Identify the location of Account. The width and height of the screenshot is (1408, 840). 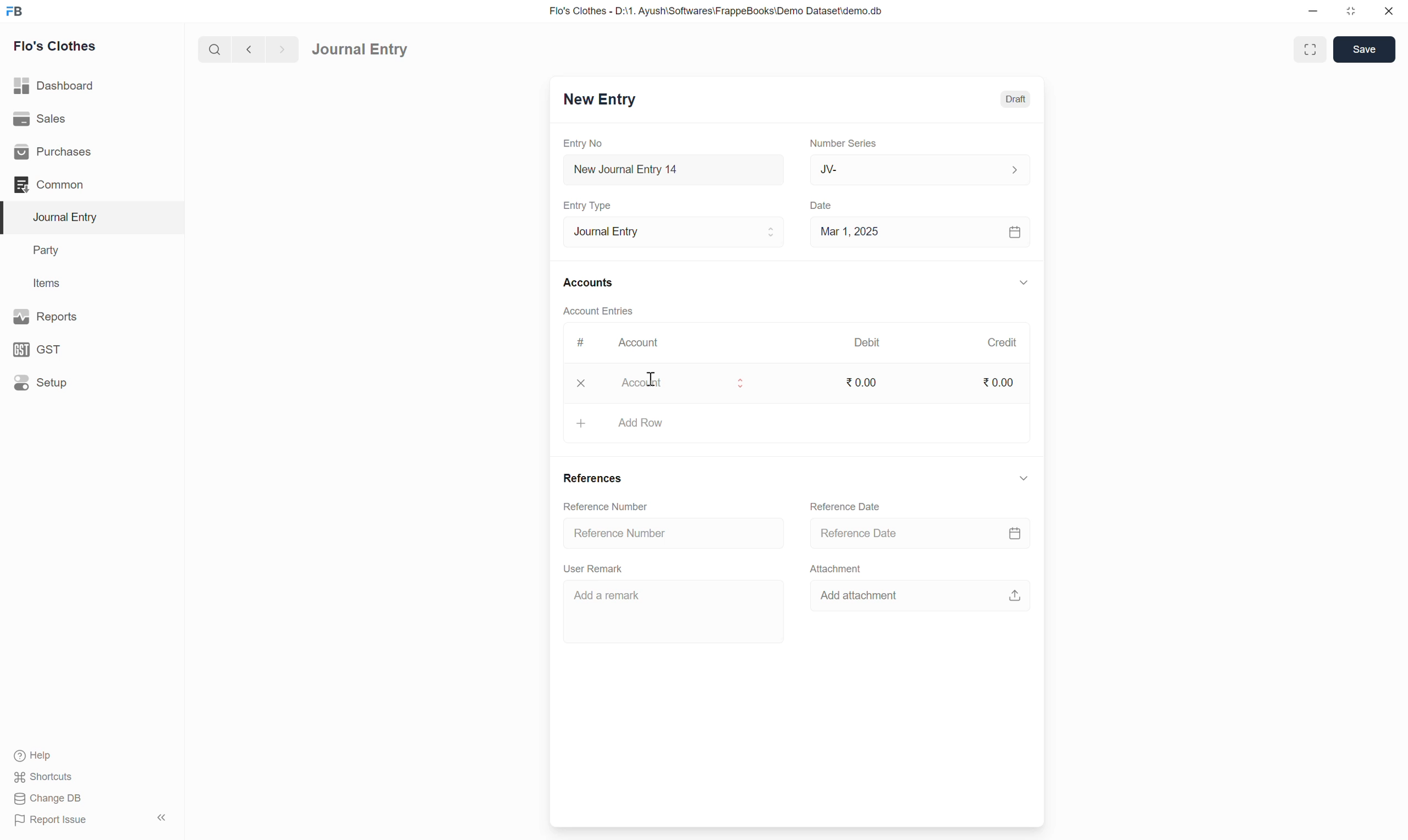
(688, 383).